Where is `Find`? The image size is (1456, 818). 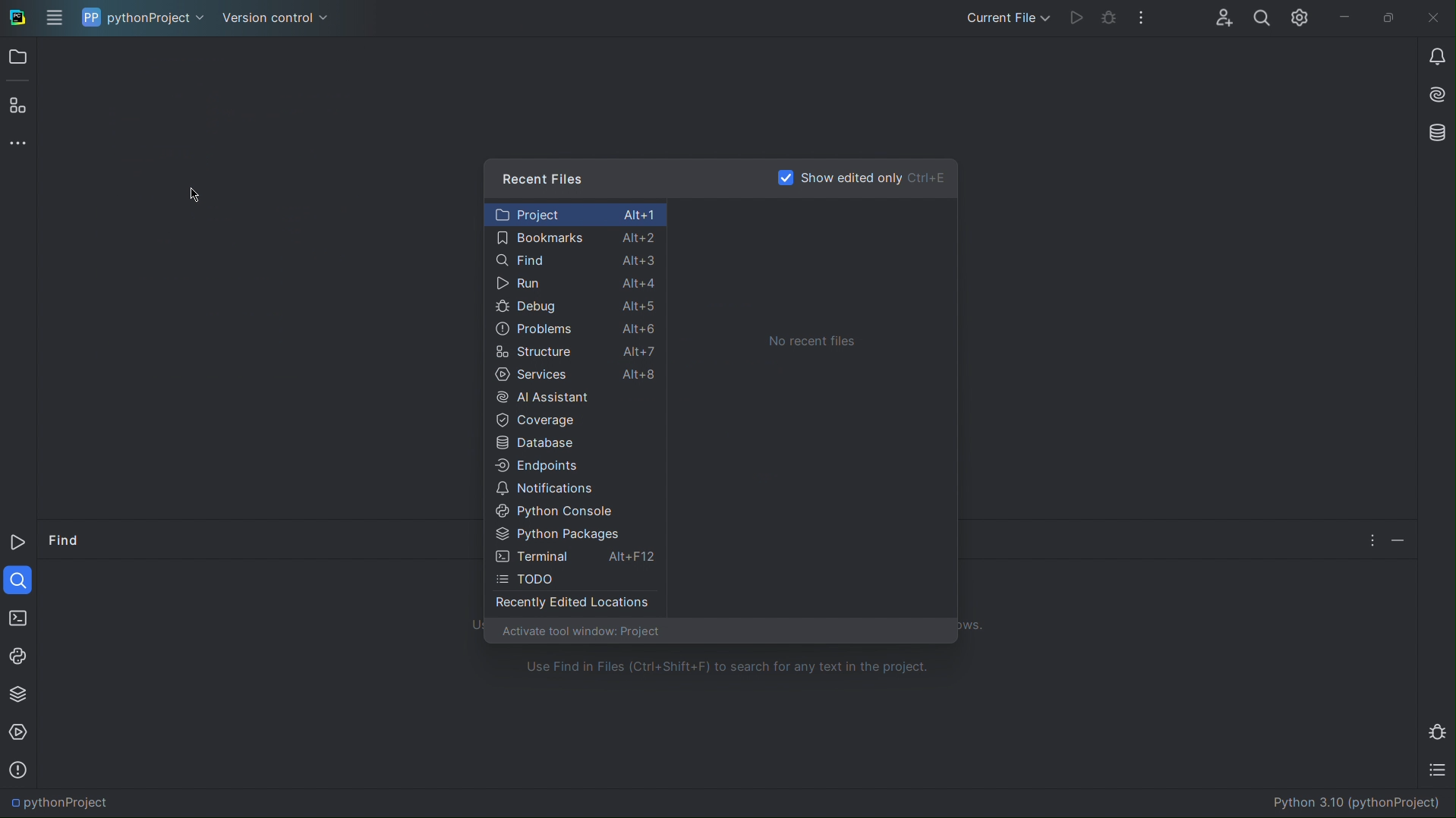
Find is located at coordinates (575, 261).